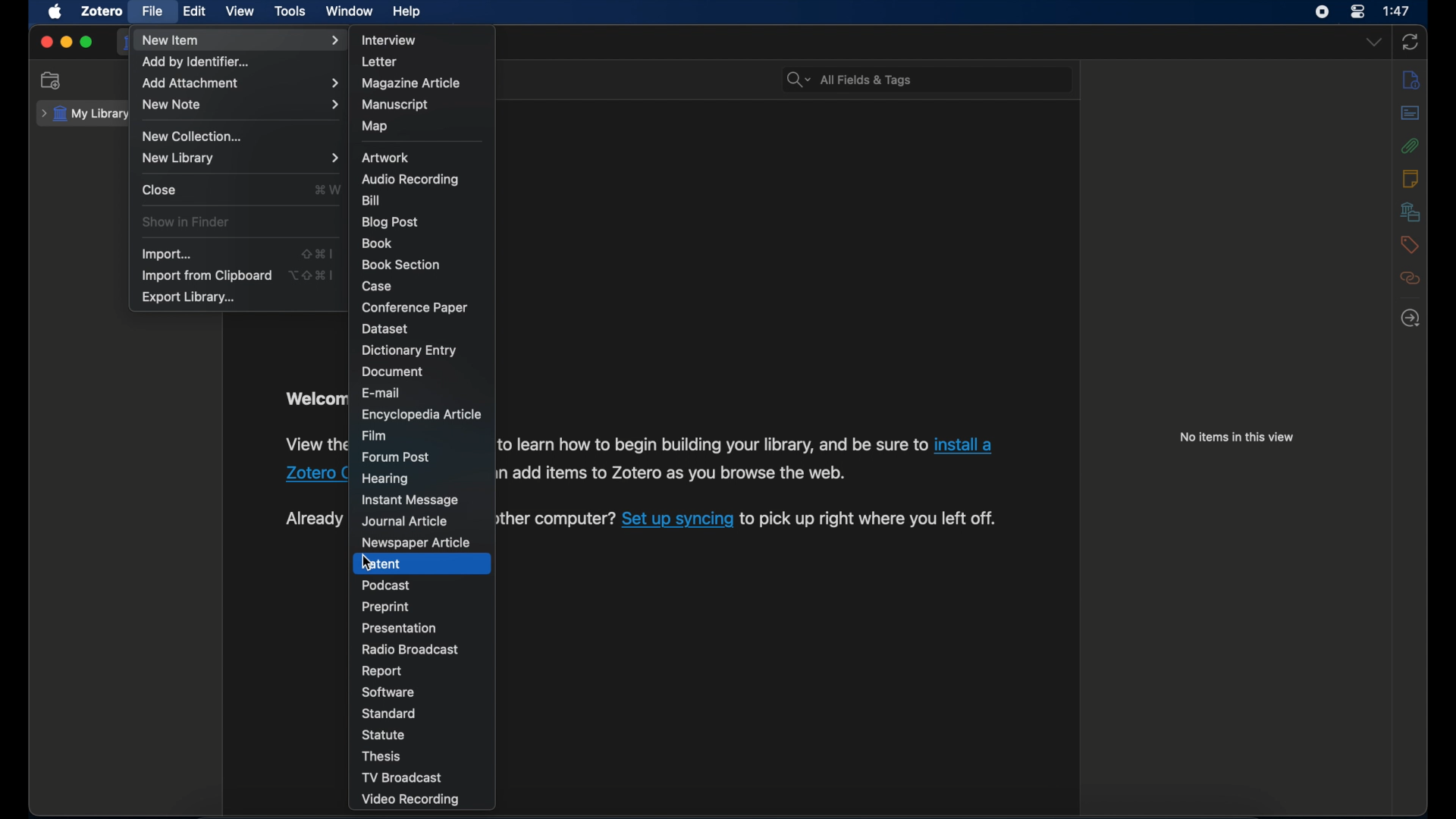 This screenshot has height=819, width=1456. Describe the element at coordinates (368, 562) in the screenshot. I see `cursor` at that location.